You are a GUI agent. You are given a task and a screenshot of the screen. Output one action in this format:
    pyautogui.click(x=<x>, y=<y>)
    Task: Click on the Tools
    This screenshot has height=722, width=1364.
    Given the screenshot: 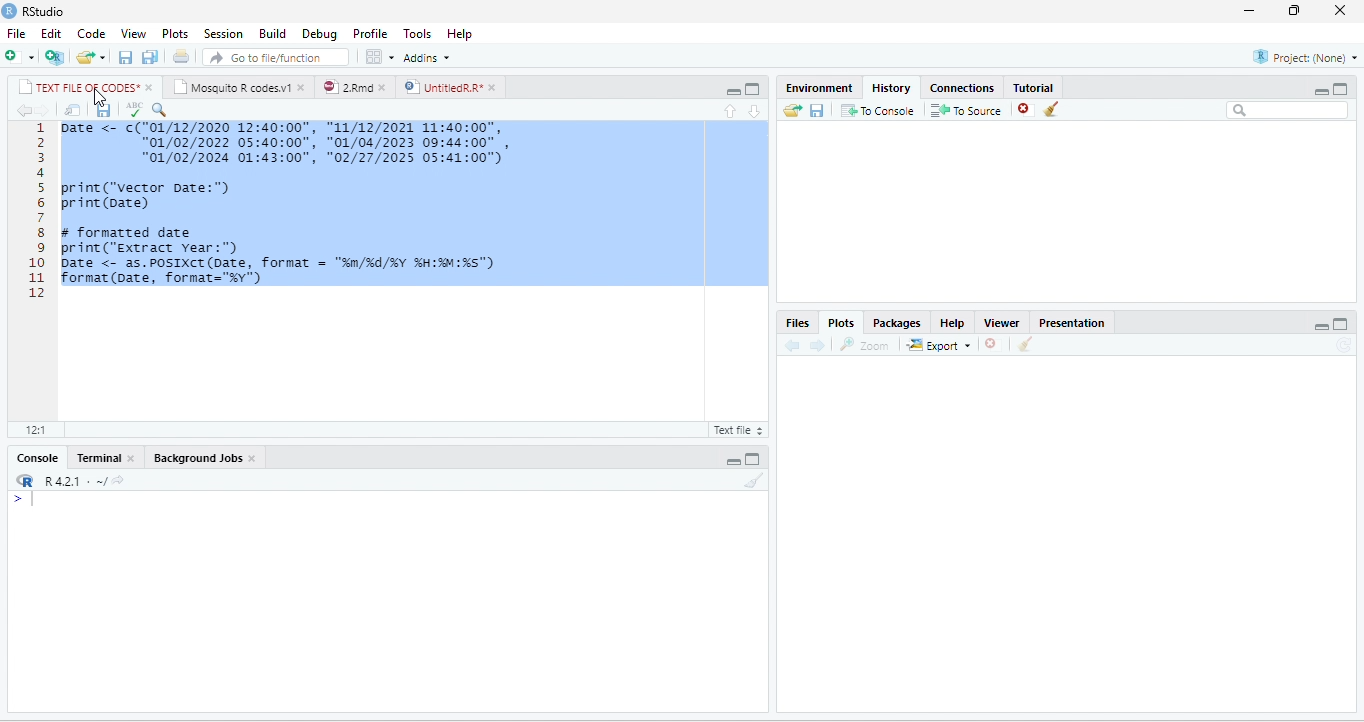 What is the action you would take?
    pyautogui.click(x=419, y=34)
    